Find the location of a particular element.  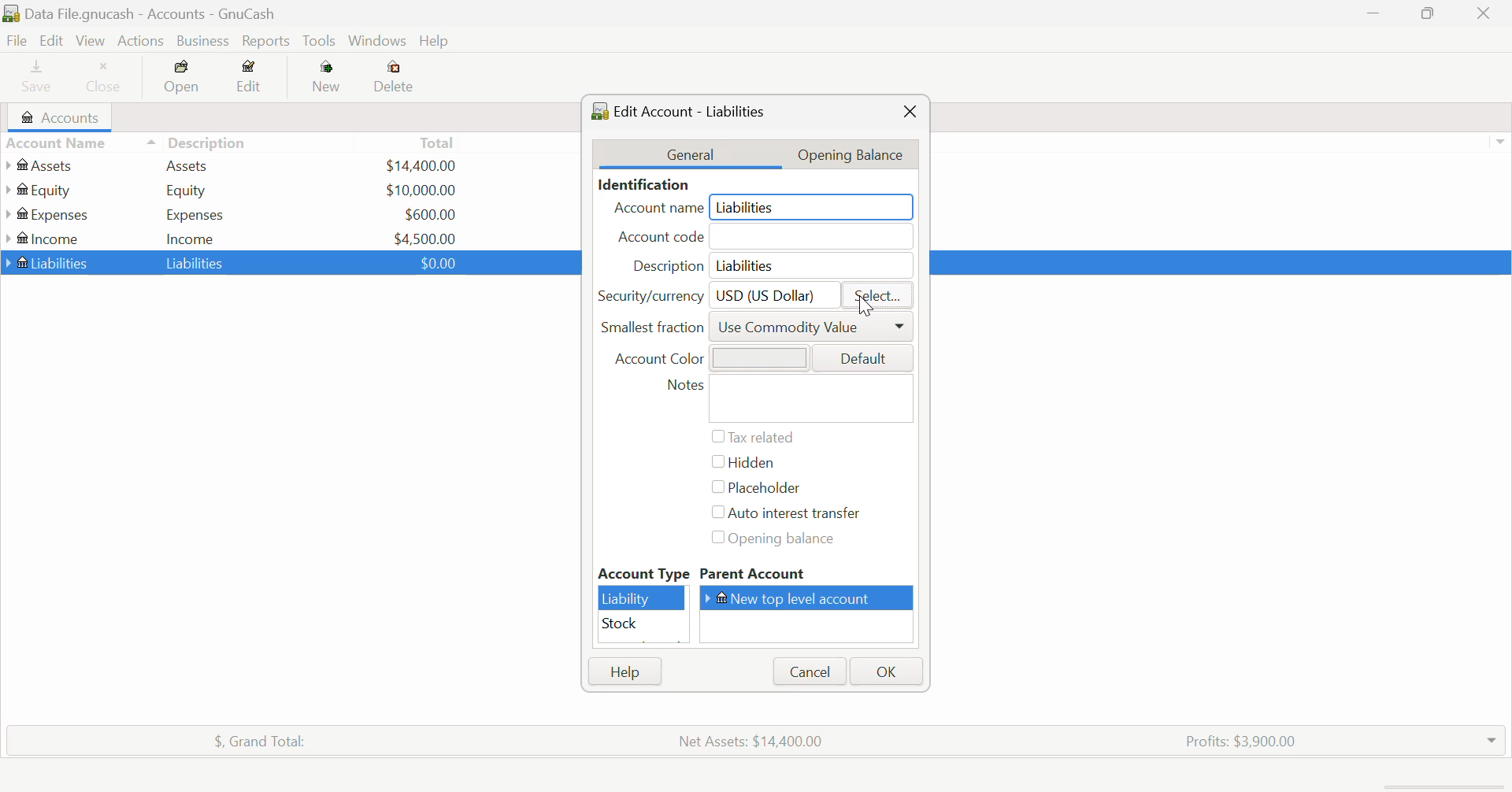

Accounts Tab Open is located at coordinates (65, 117).